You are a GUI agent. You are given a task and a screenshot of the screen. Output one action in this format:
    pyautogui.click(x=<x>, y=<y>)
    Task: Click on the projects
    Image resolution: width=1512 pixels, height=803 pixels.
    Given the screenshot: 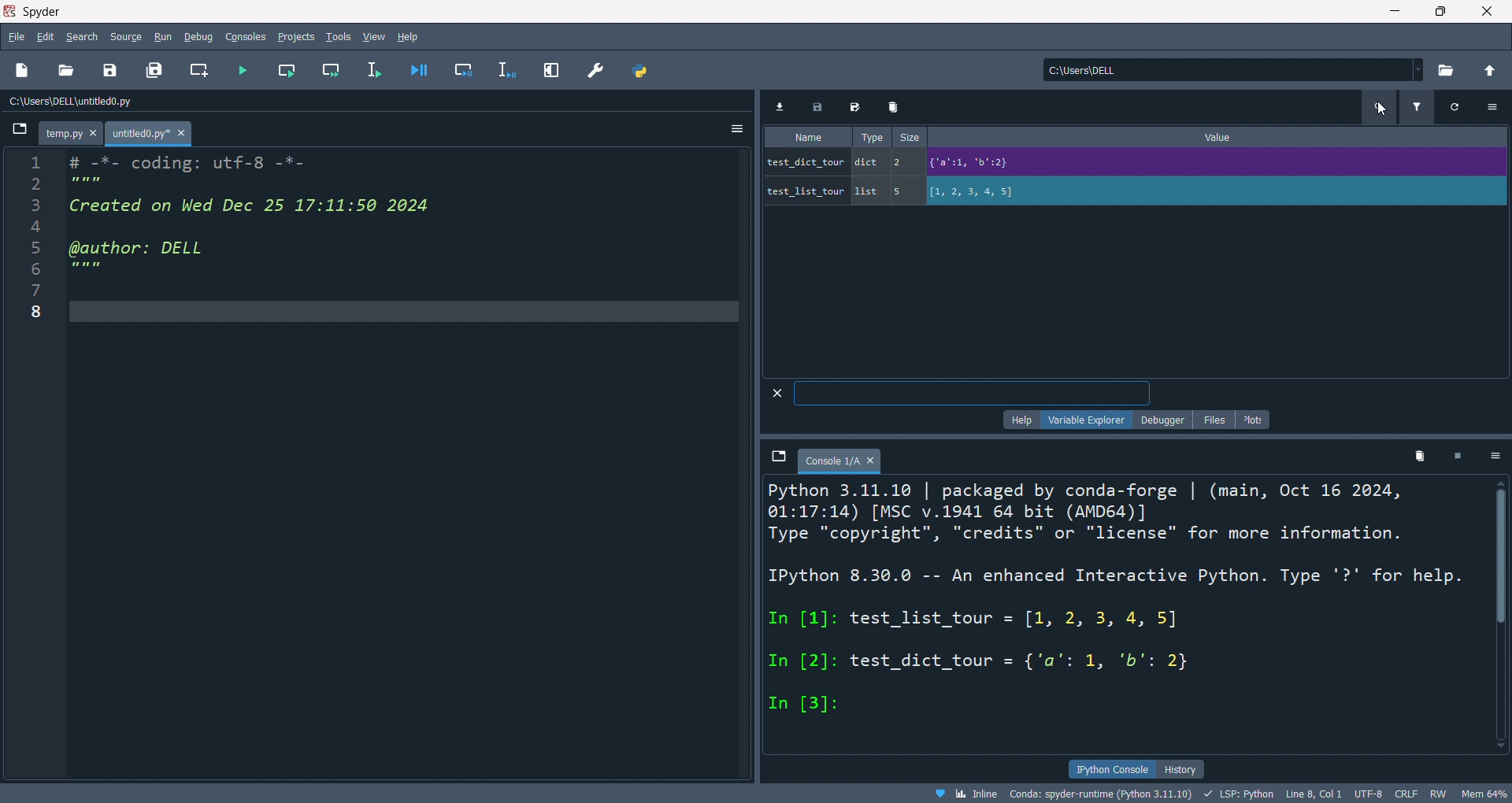 What is the action you would take?
    pyautogui.click(x=291, y=33)
    